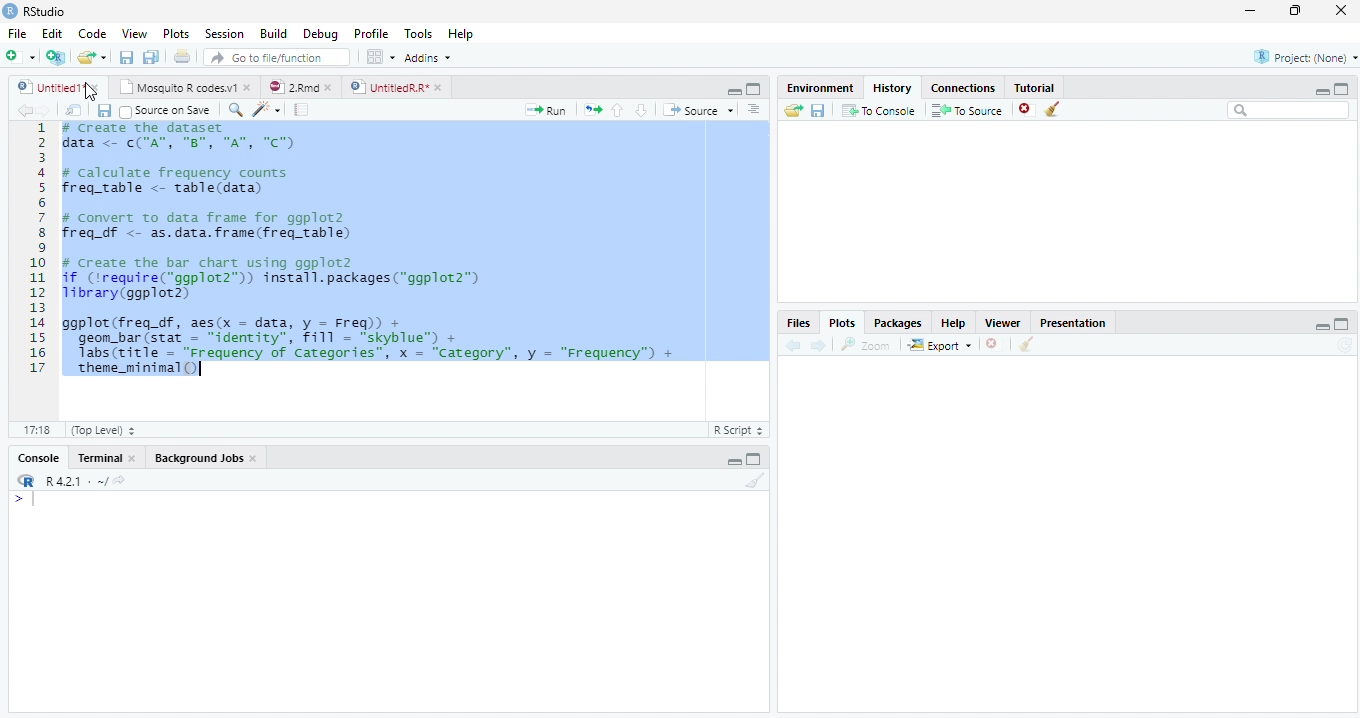 The height and width of the screenshot is (718, 1360). I want to click on Save, so click(104, 110).